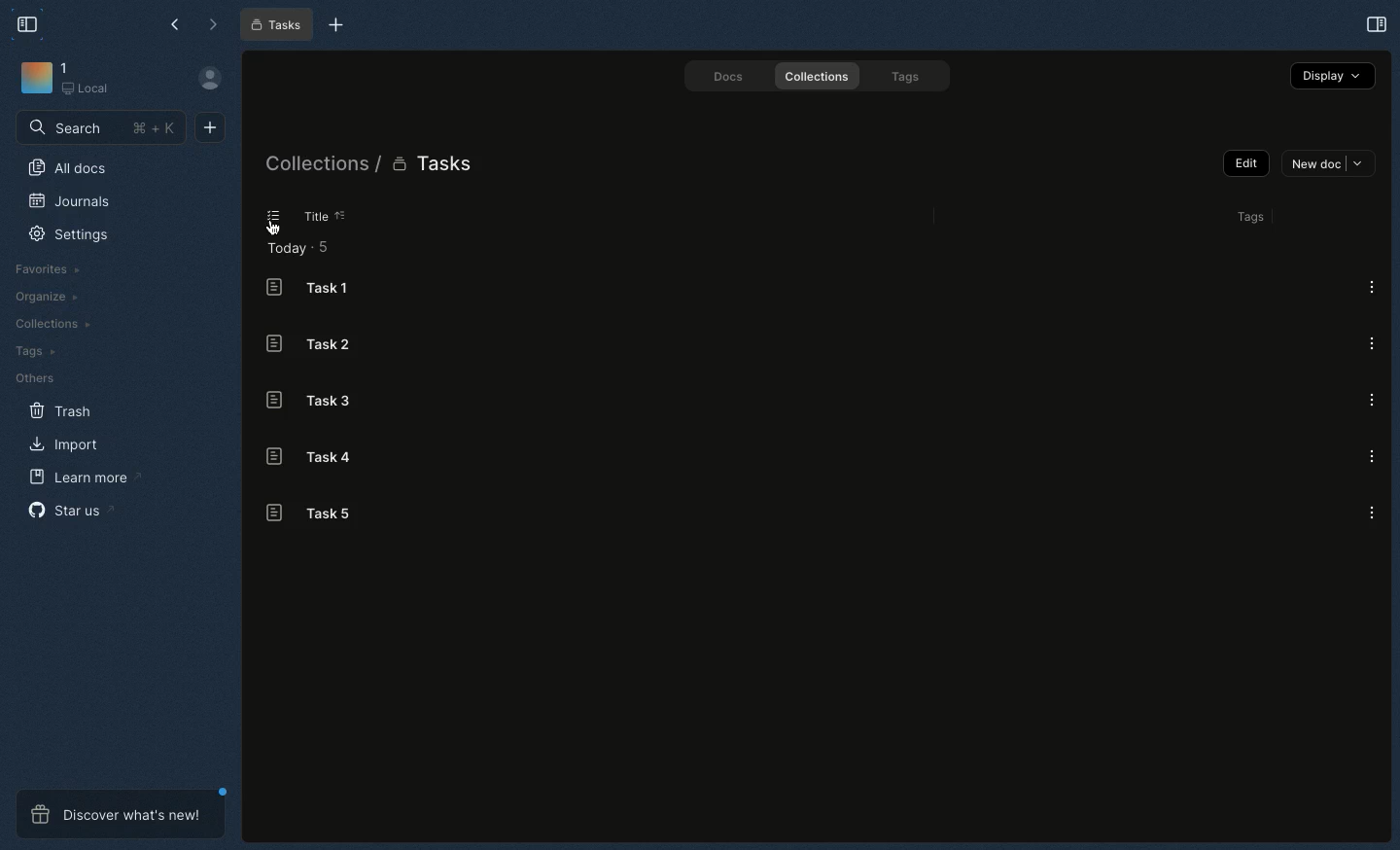  Describe the element at coordinates (42, 378) in the screenshot. I see `Others` at that location.